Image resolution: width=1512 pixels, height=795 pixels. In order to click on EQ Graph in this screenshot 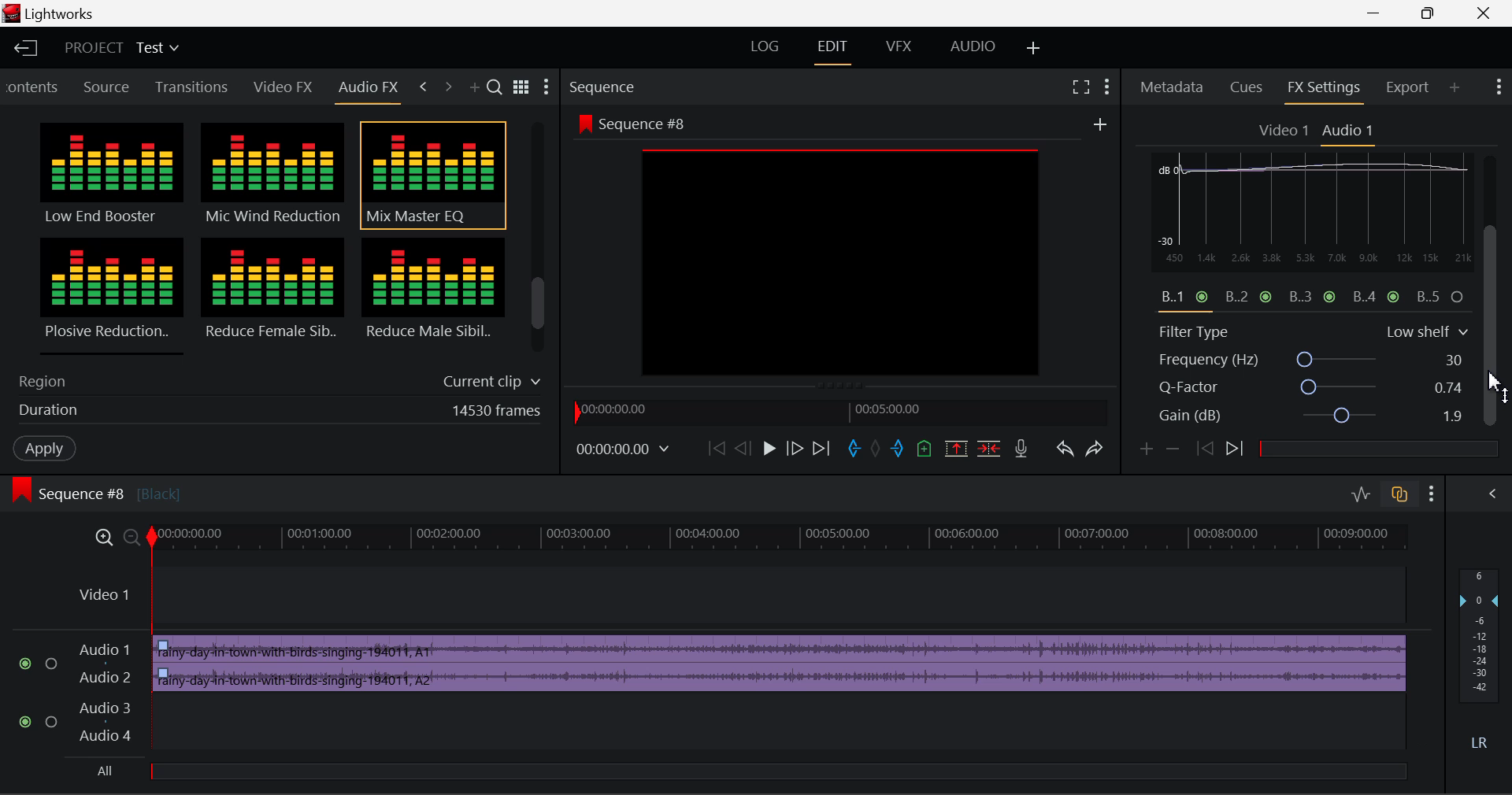, I will do `click(1303, 244)`.